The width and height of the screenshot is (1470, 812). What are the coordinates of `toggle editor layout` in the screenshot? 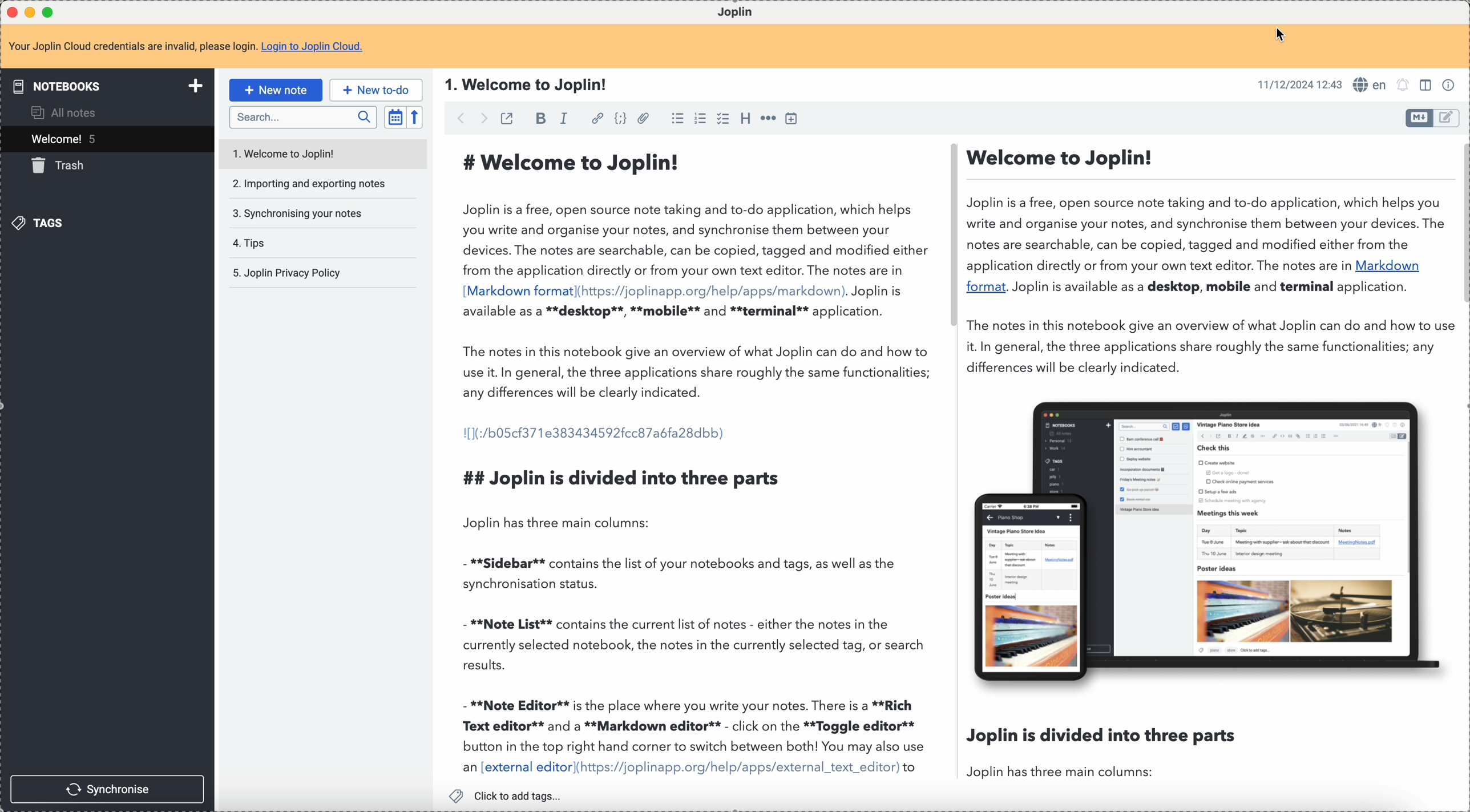 It's located at (1425, 84).